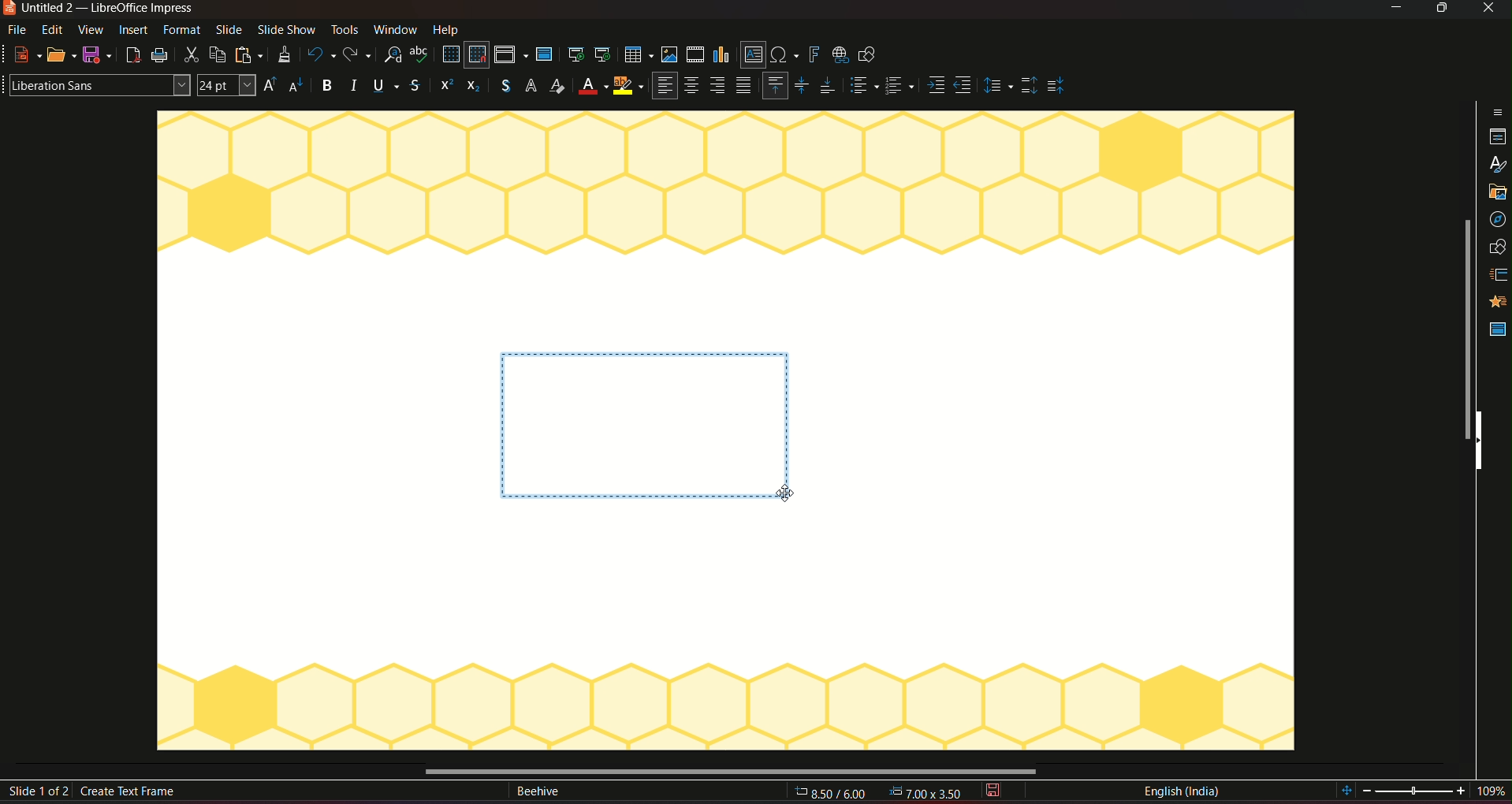 The width and height of the screenshot is (1512, 804). Describe the element at coordinates (537, 793) in the screenshot. I see `text` at that location.